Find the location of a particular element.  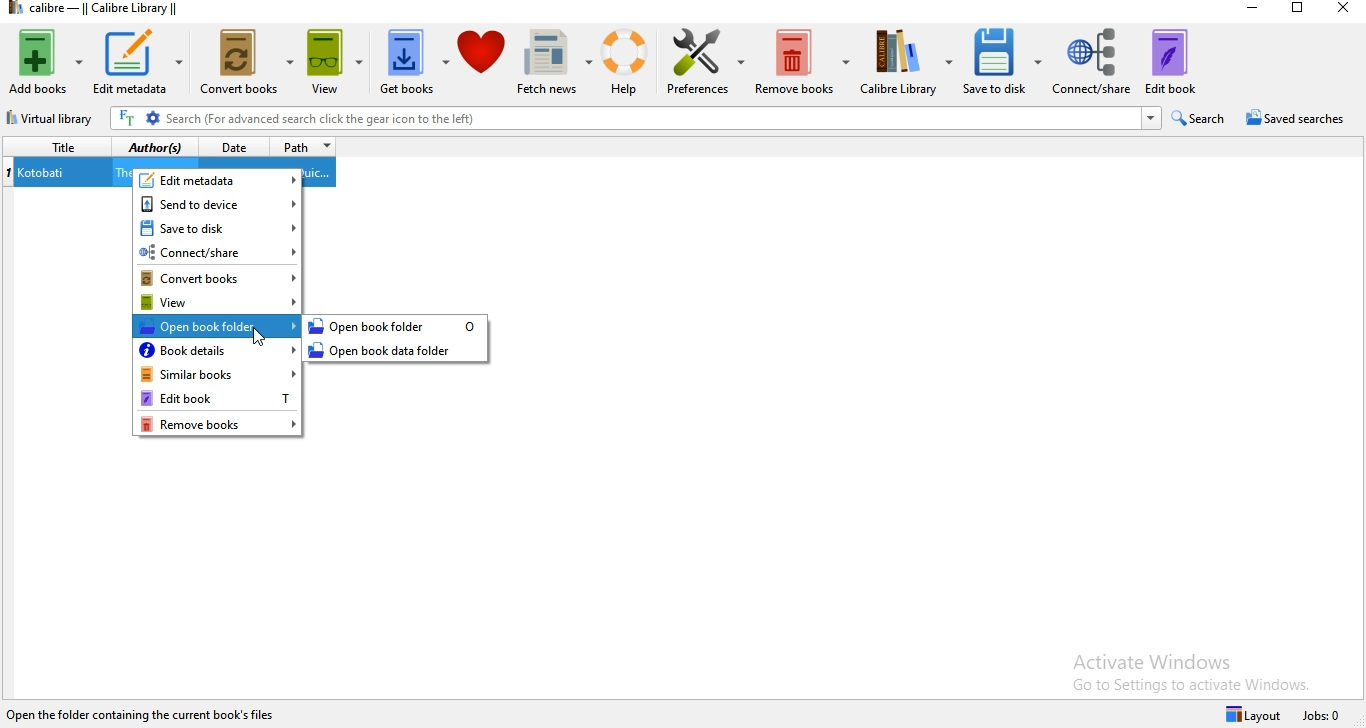

connect/share is located at coordinates (1090, 61).